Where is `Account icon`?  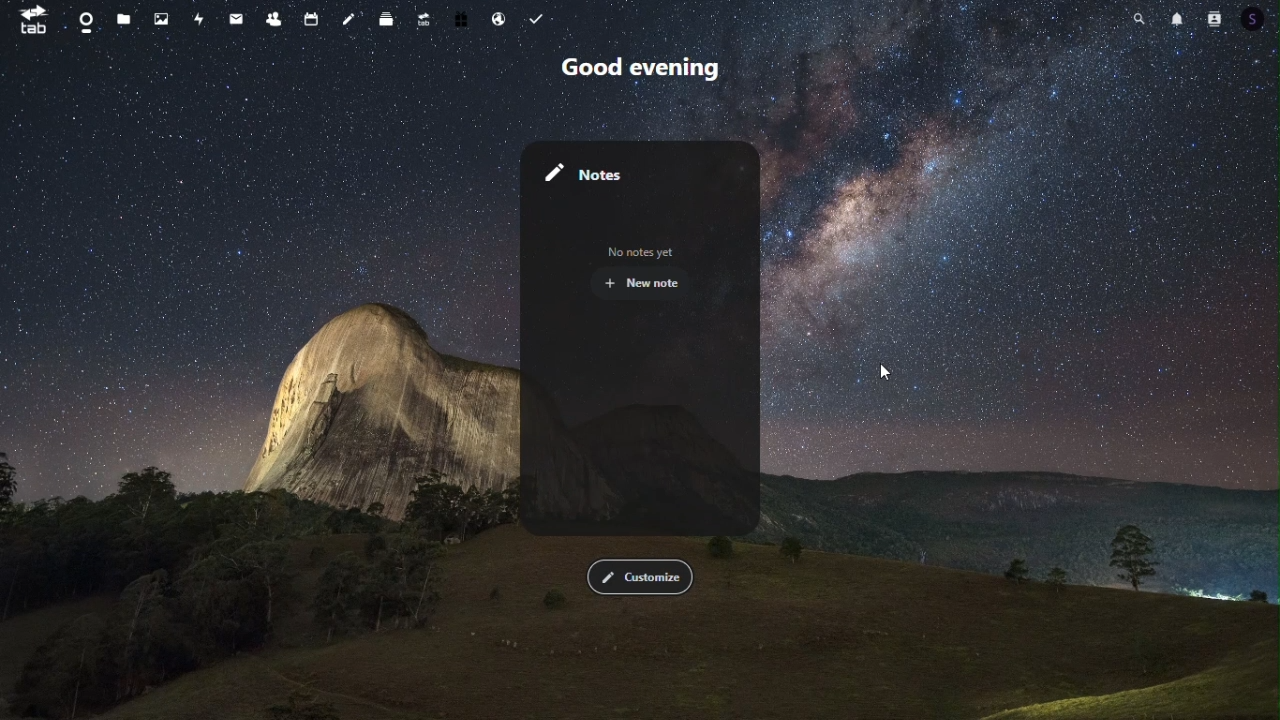
Account icon is located at coordinates (1259, 19).